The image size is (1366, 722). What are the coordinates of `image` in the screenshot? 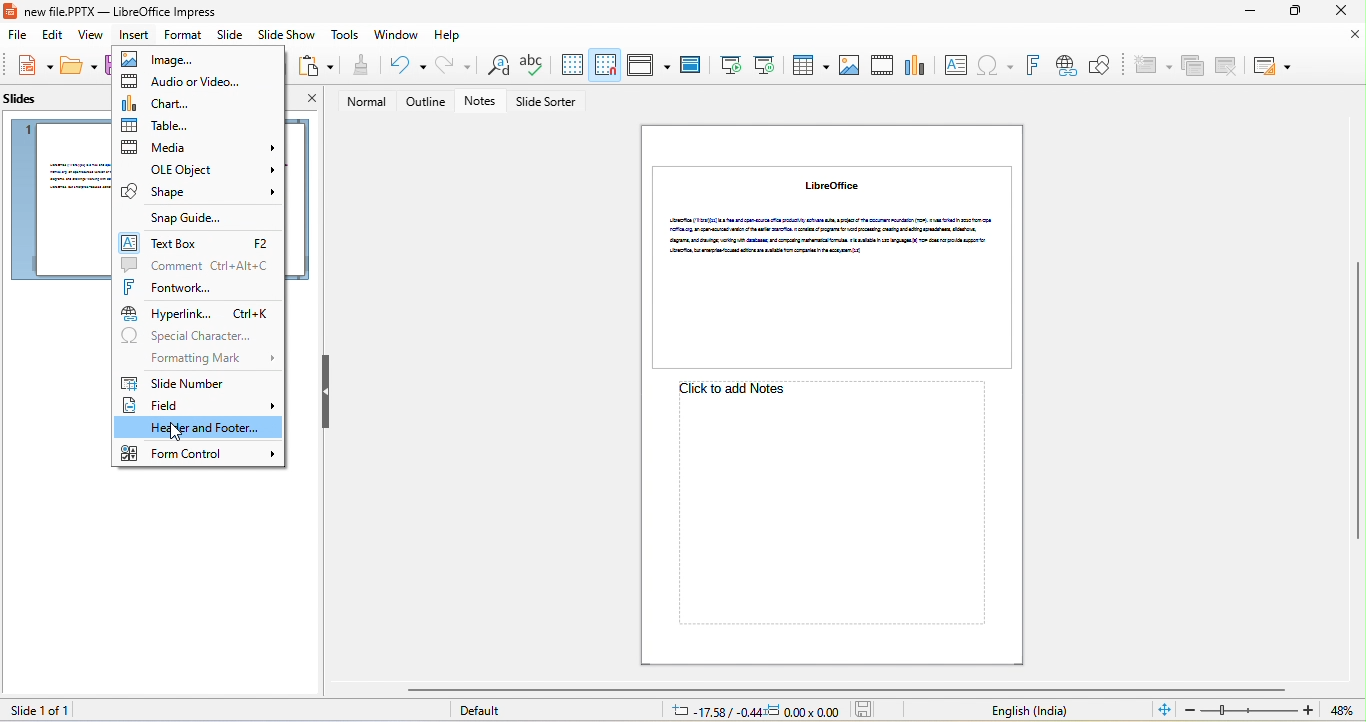 It's located at (849, 66).